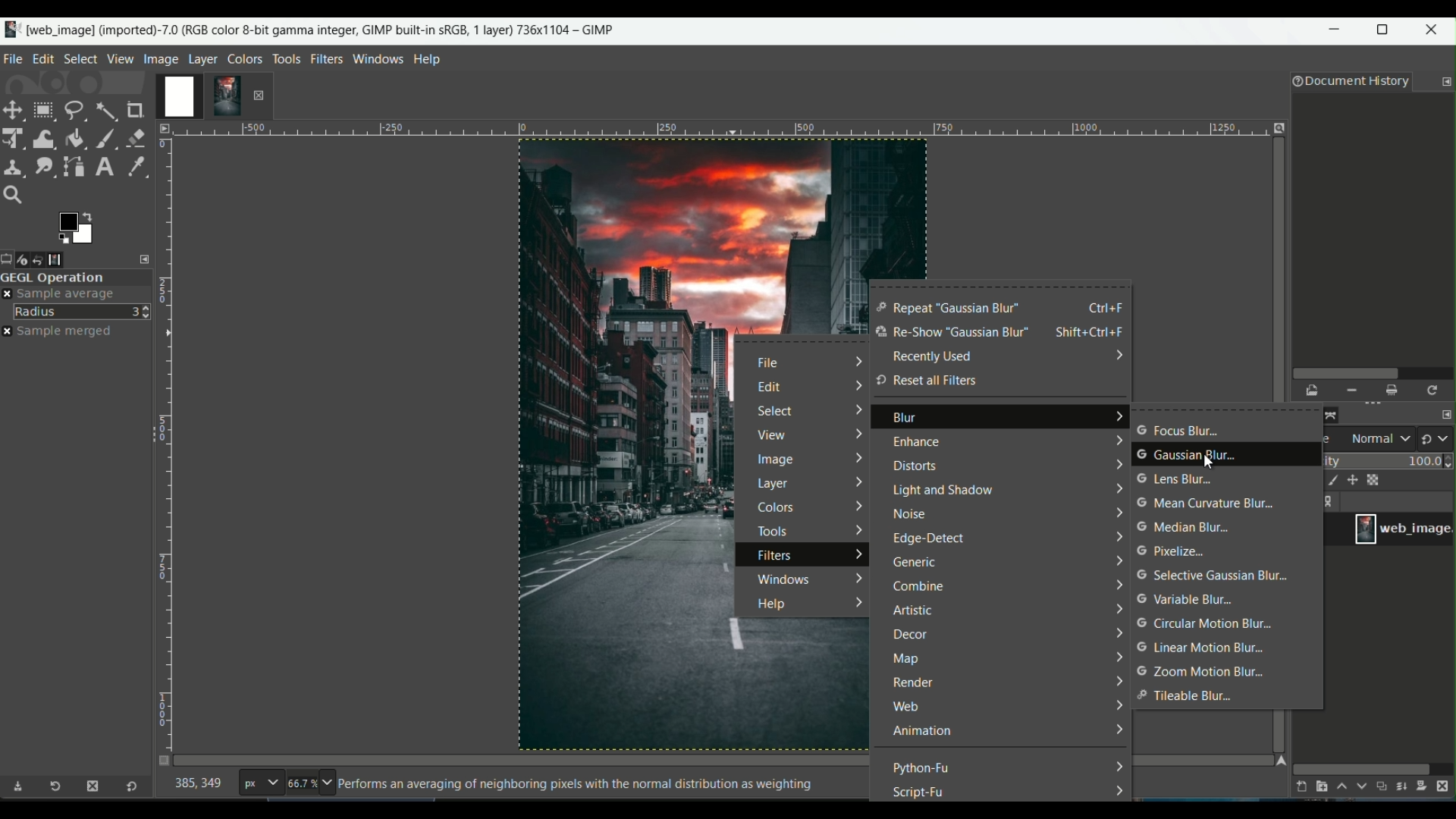  I want to click on options, so click(1332, 503).